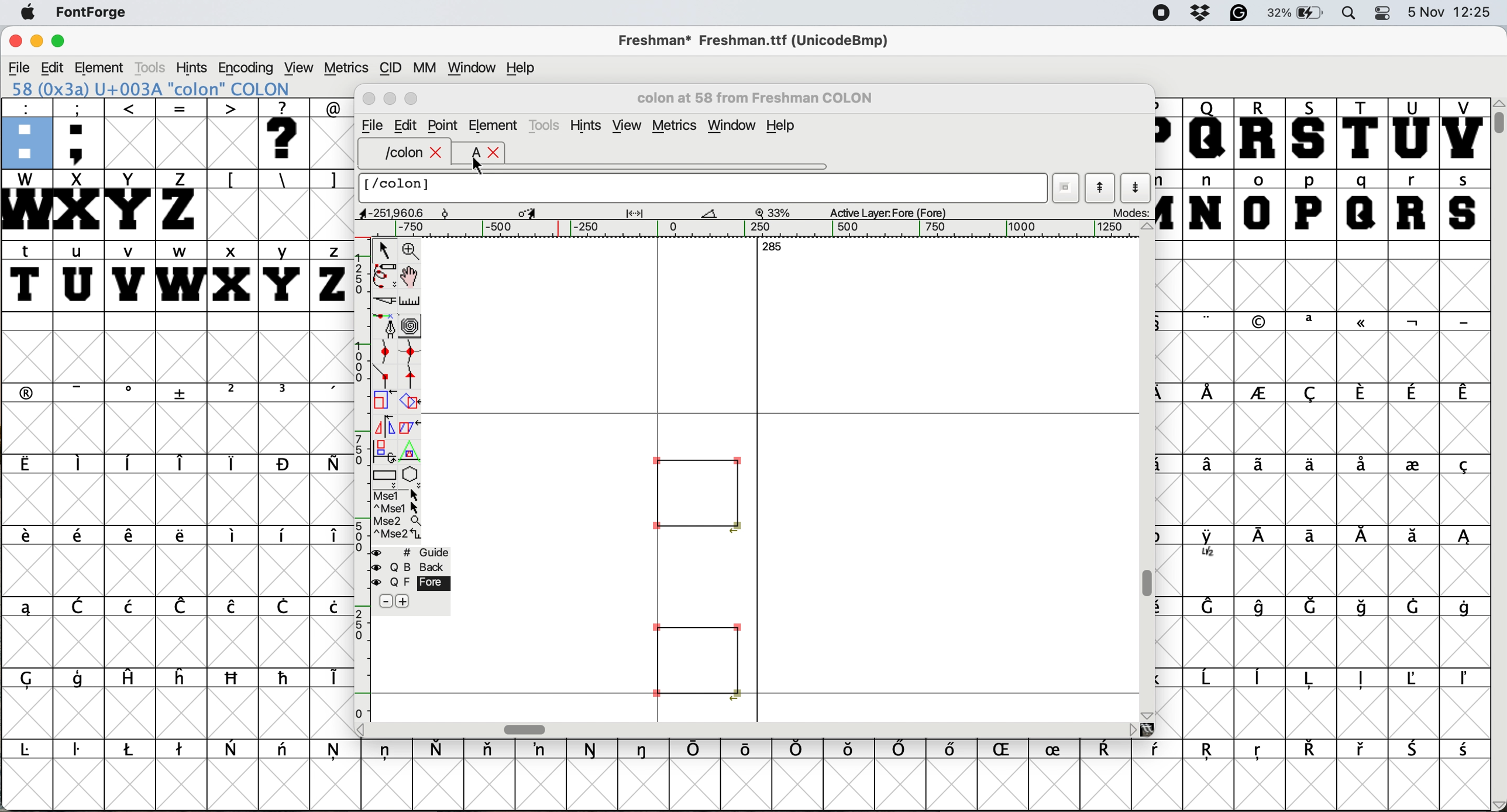 The height and width of the screenshot is (812, 1507). I want to click on X, so click(78, 205).